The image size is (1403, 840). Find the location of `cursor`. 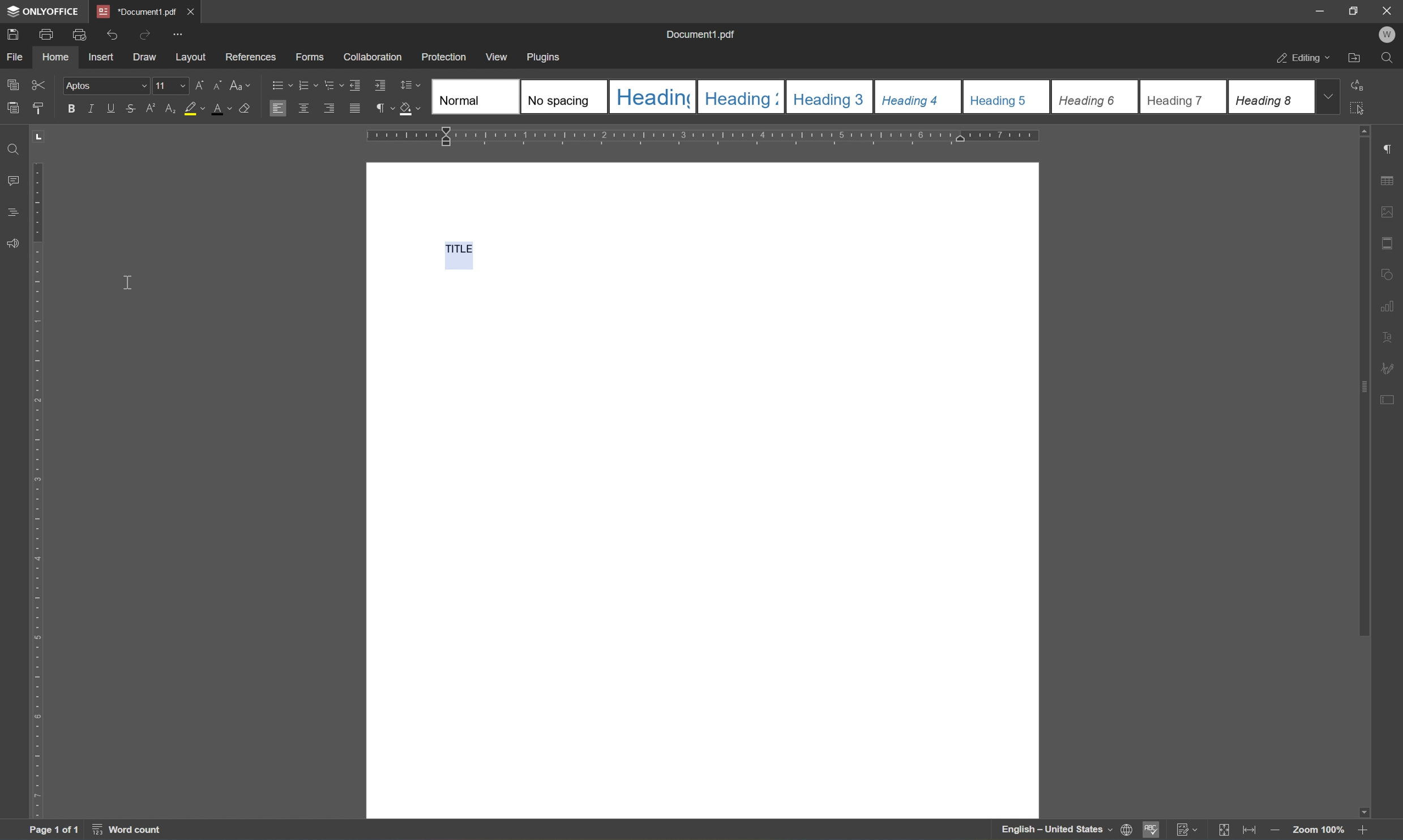

cursor is located at coordinates (128, 282).